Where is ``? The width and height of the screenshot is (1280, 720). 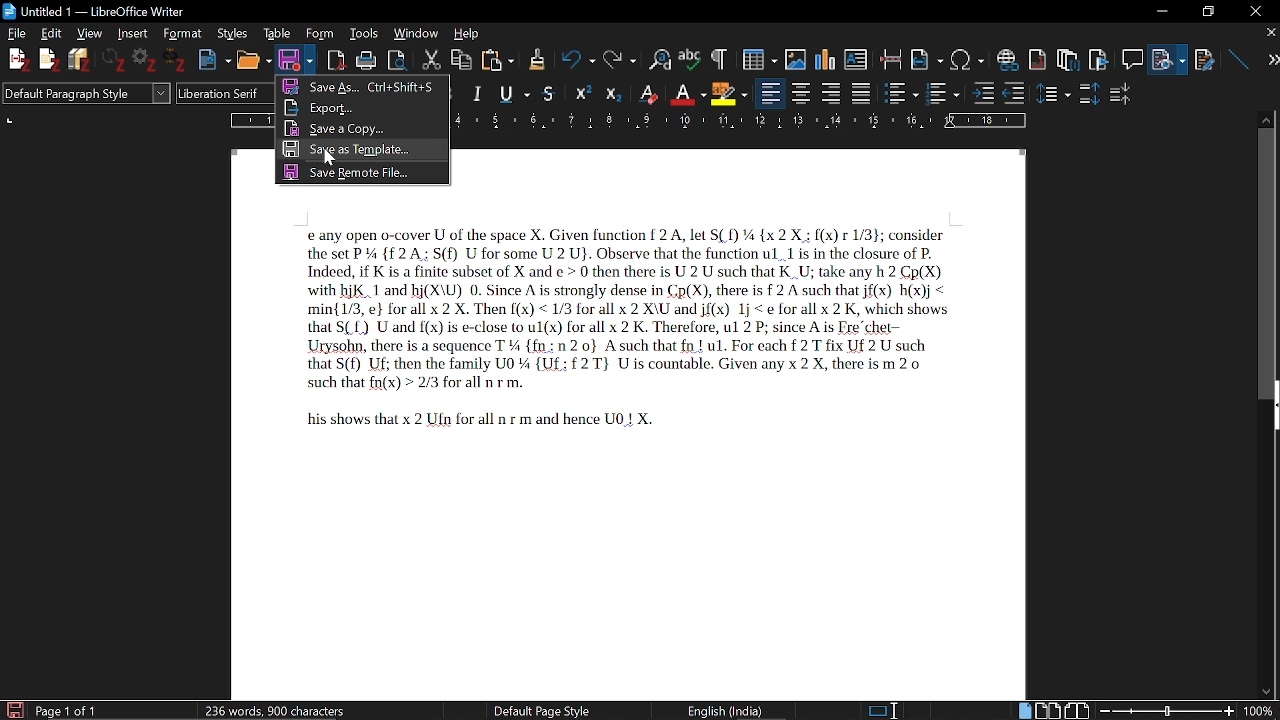
 is located at coordinates (717, 58).